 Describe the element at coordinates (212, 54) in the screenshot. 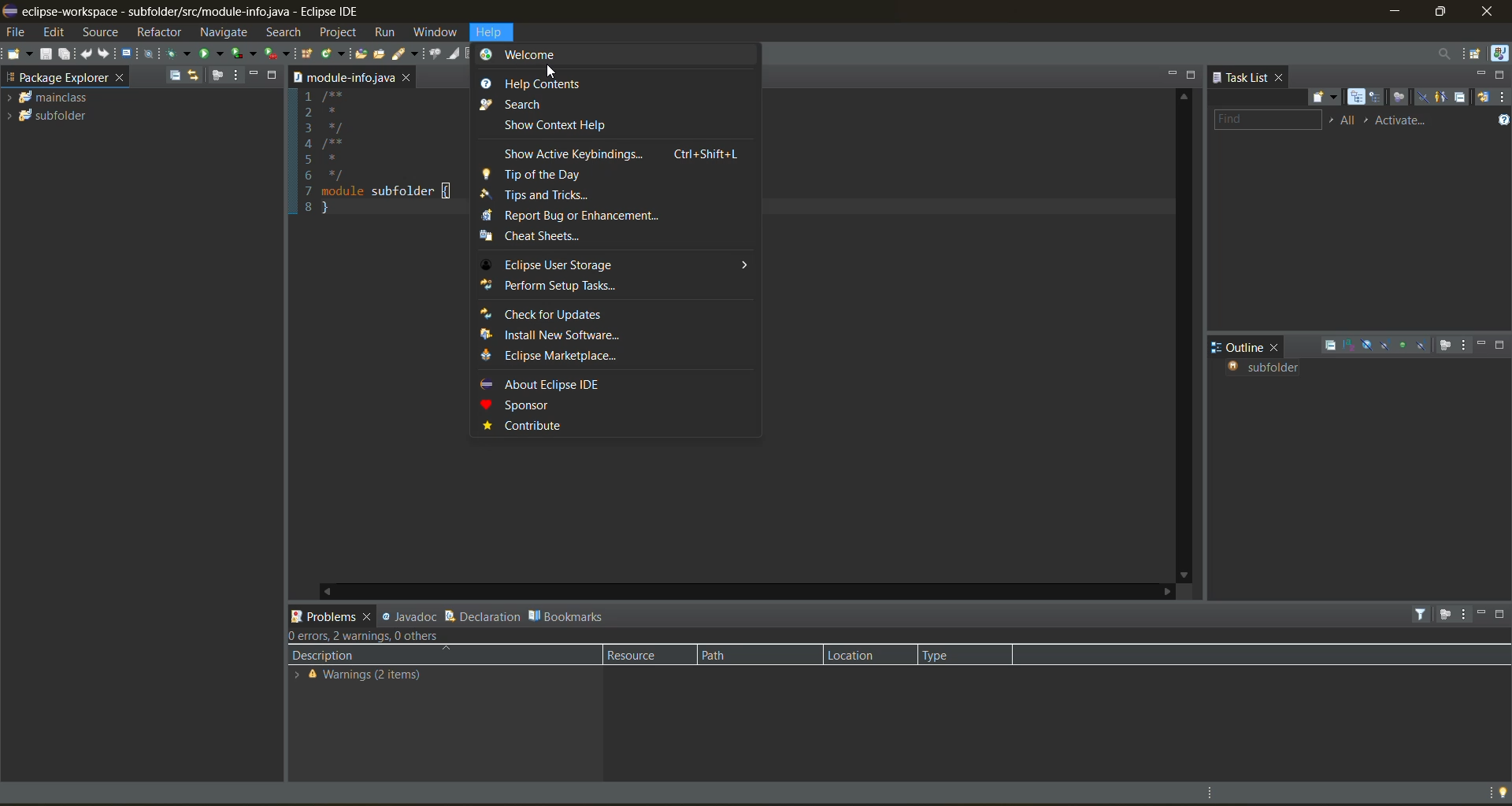

I see `run` at that location.